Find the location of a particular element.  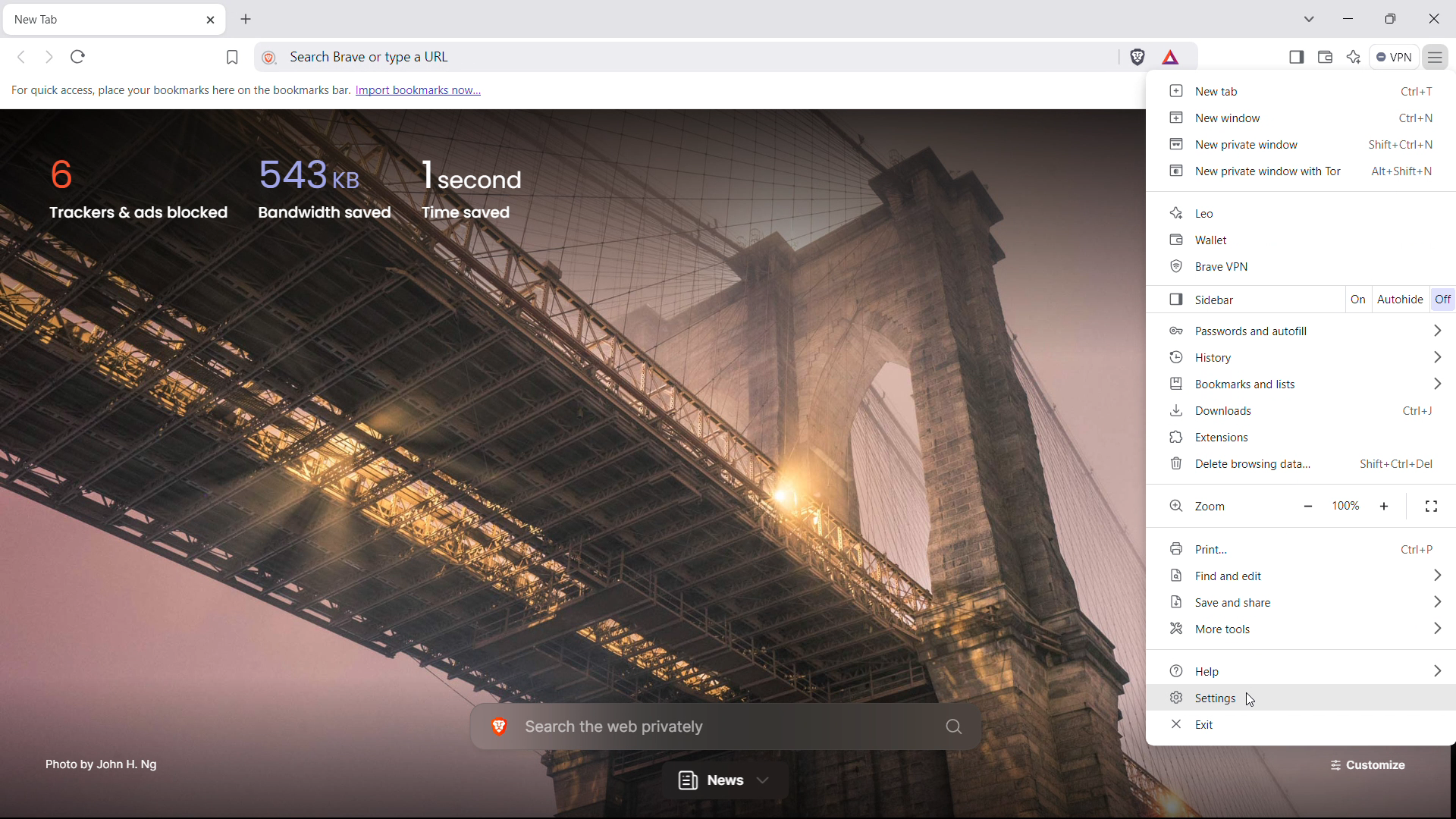

zoom logo is located at coordinates (1175, 507).